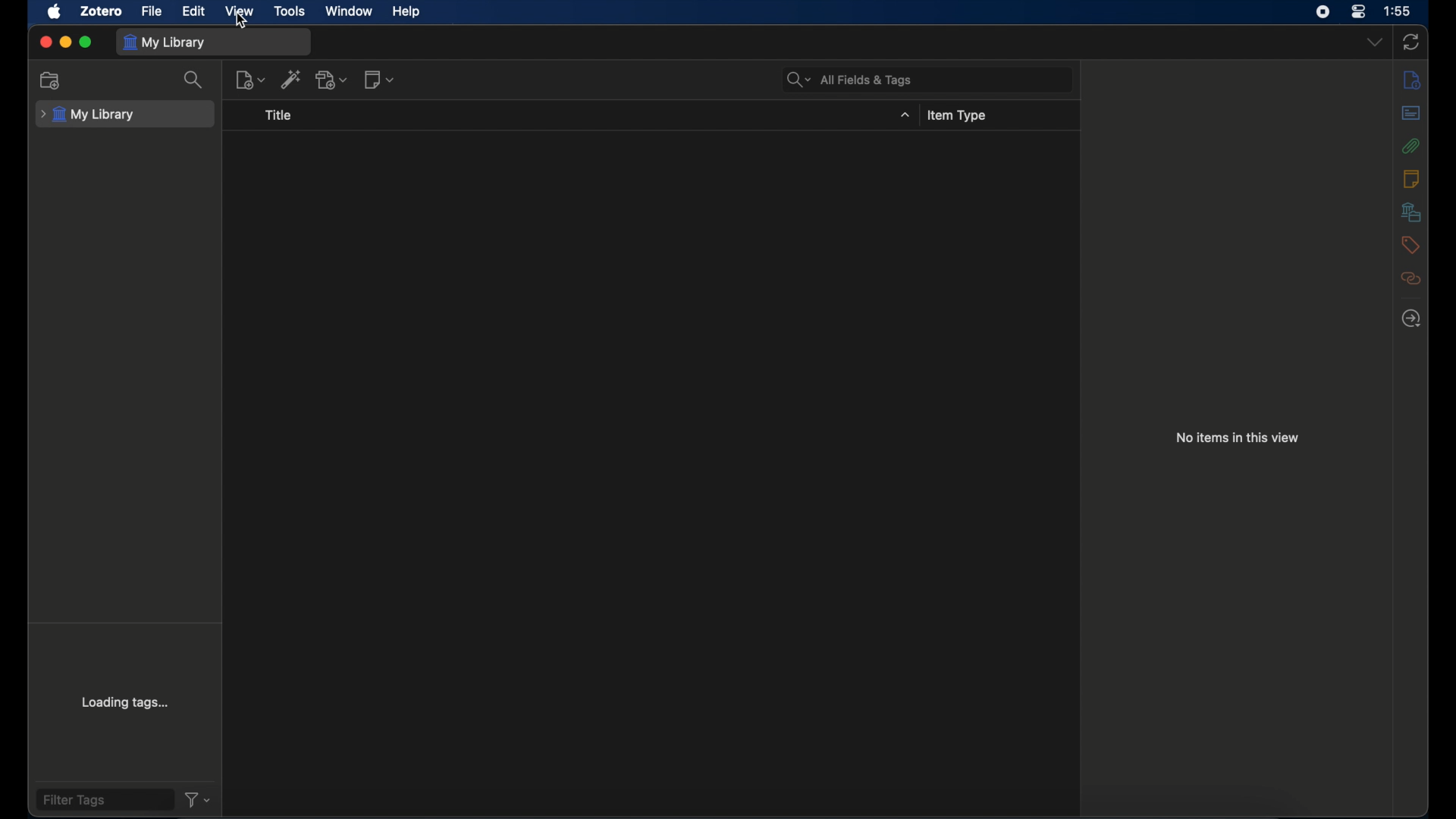 This screenshot has height=819, width=1456. I want to click on loading tags, so click(127, 701).